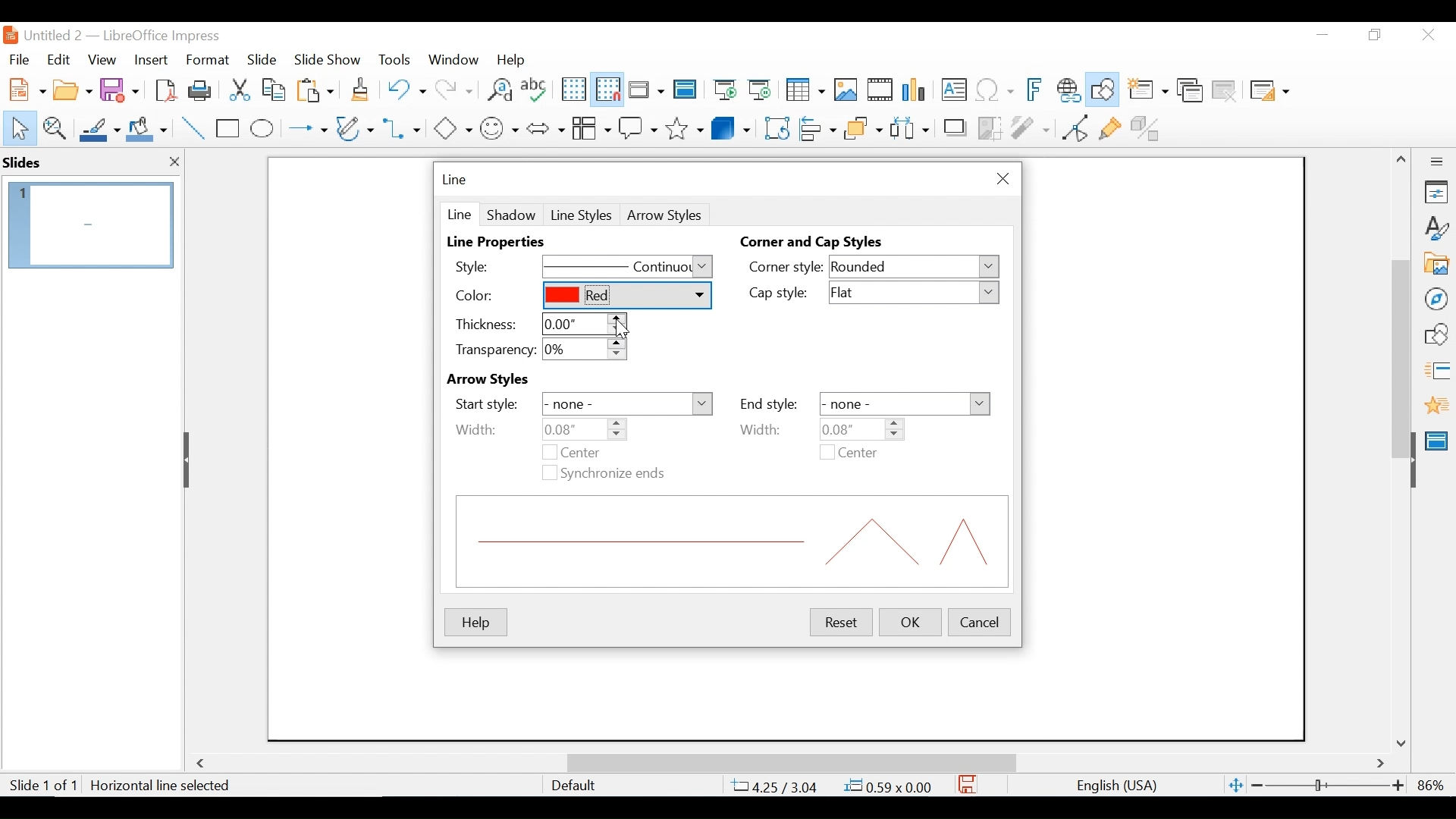  I want to click on Rectangle, so click(229, 129).